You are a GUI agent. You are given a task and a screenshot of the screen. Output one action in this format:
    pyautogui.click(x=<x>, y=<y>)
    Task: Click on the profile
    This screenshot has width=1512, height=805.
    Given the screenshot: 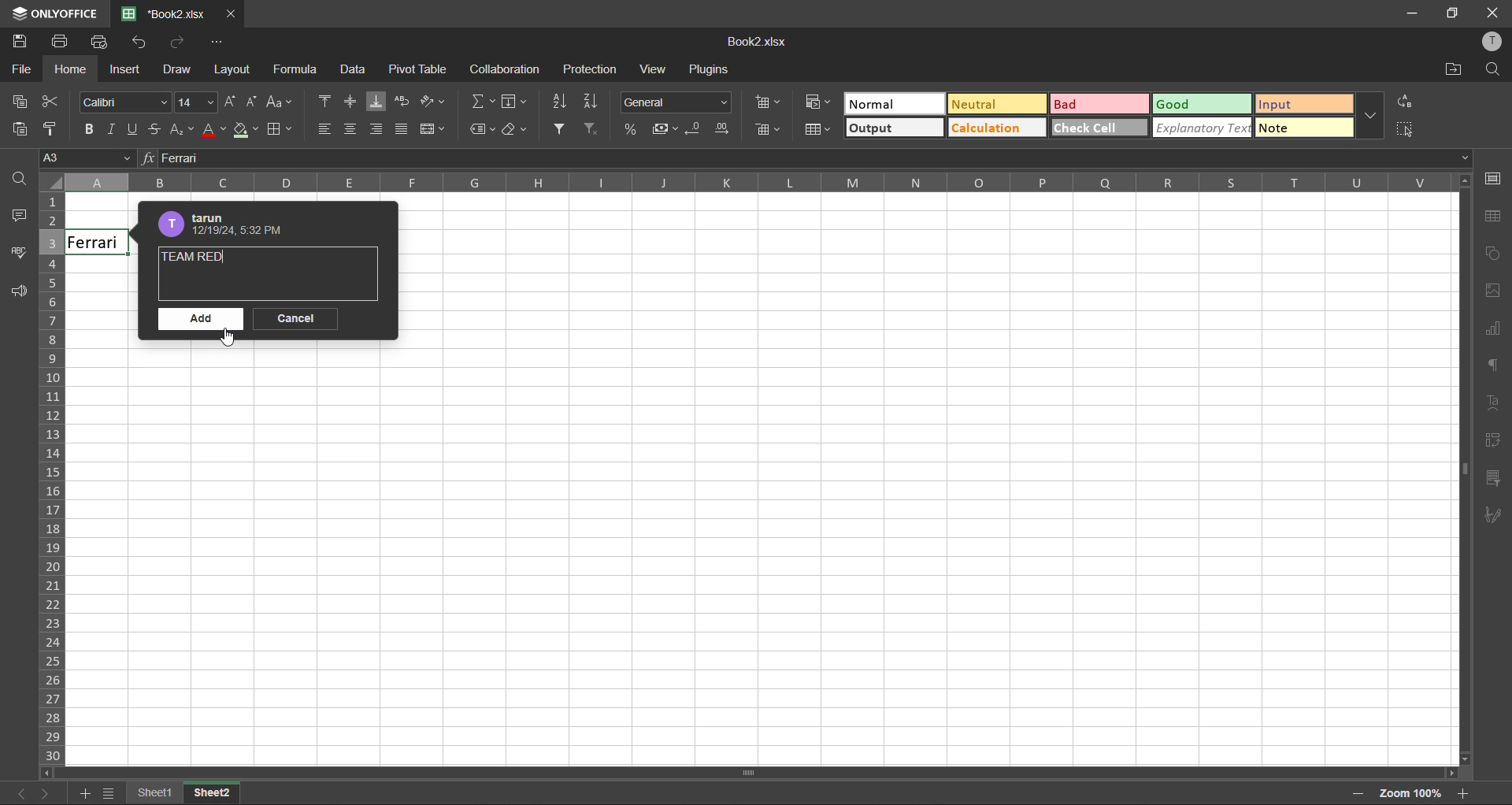 What is the action you would take?
    pyautogui.click(x=1495, y=40)
    